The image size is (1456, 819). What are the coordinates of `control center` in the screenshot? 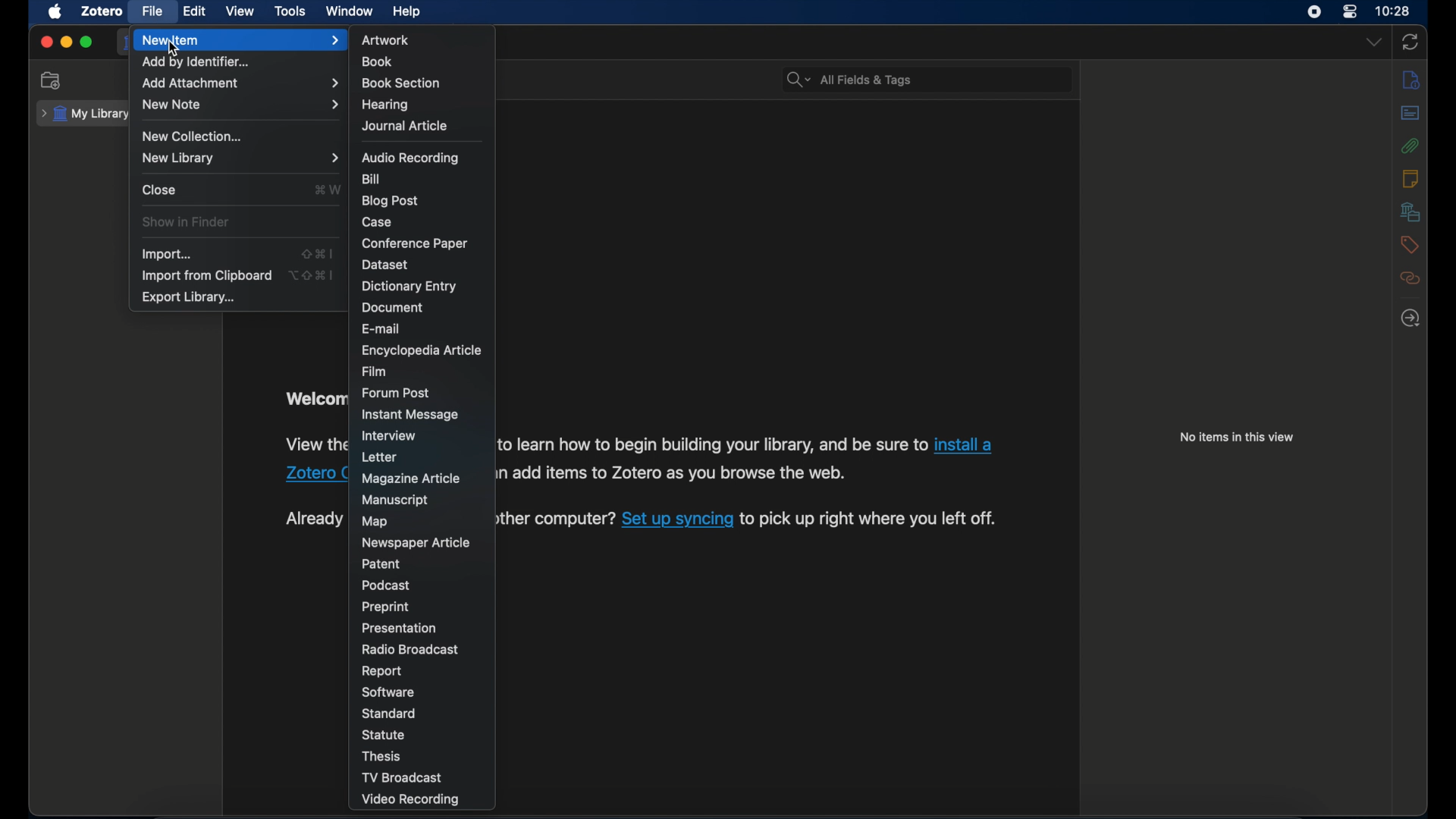 It's located at (1350, 11).